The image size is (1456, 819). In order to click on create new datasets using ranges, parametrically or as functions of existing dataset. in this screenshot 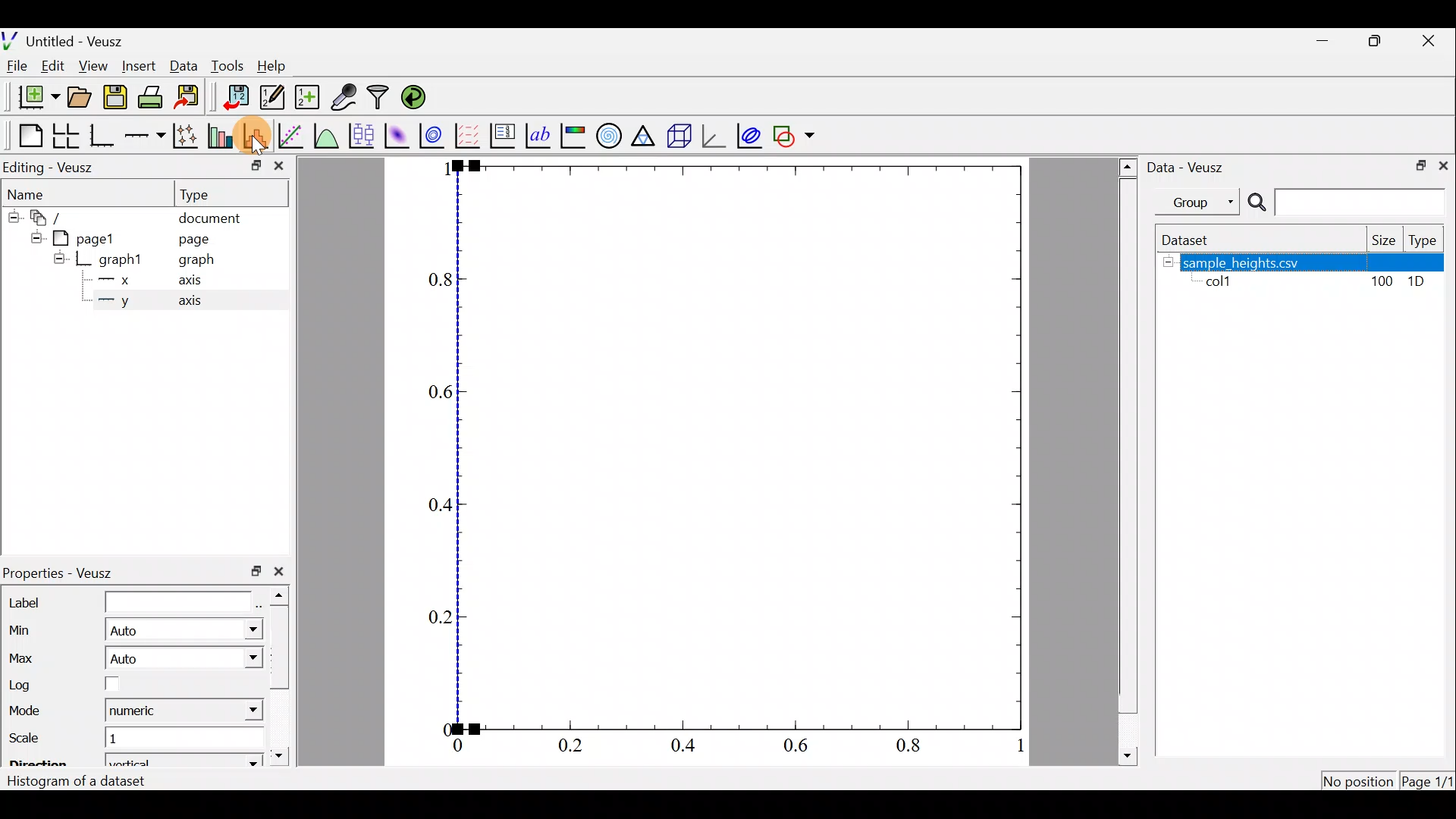, I will do `click(306, 96)`.